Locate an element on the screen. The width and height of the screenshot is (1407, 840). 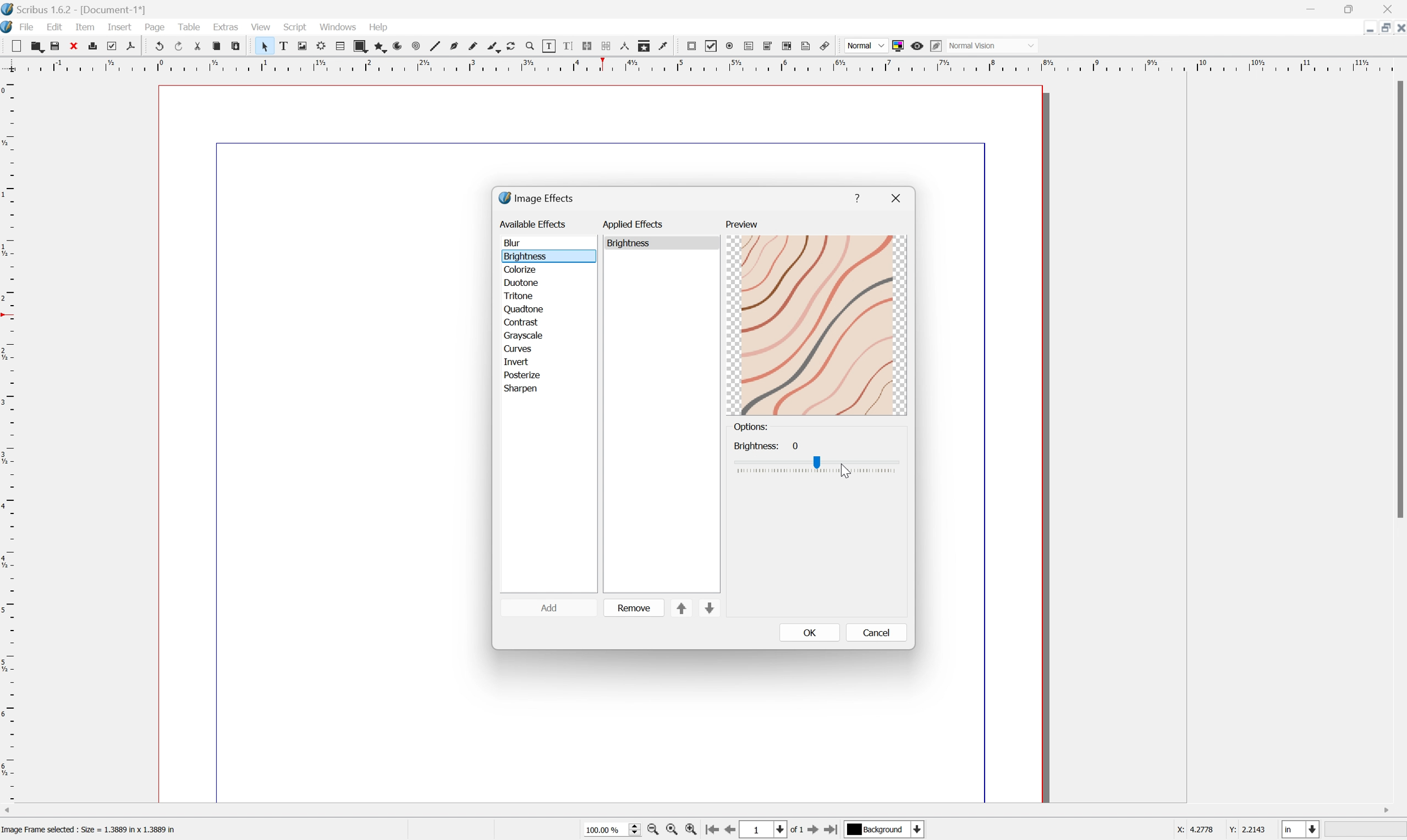
Scroll bar is located at coordinates (1398, 299).